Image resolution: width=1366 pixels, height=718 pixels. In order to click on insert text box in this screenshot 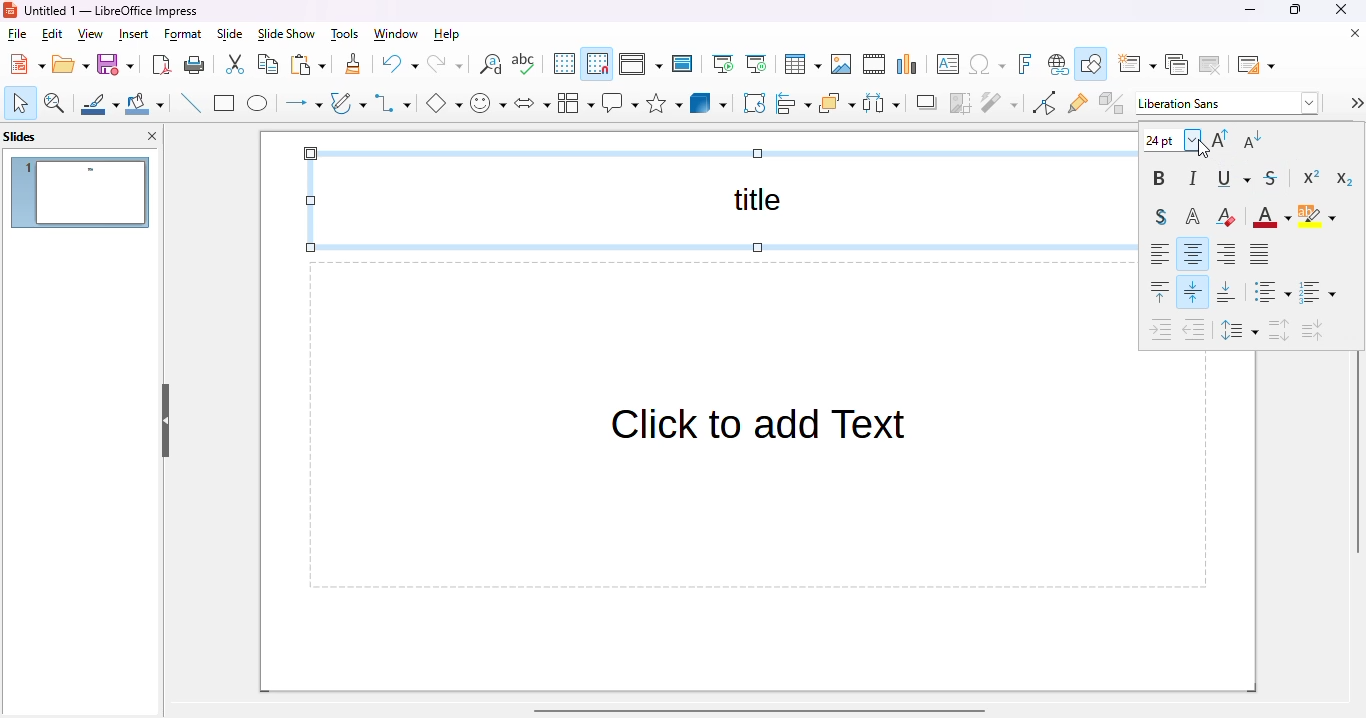, I will do `click(946, 64)`.